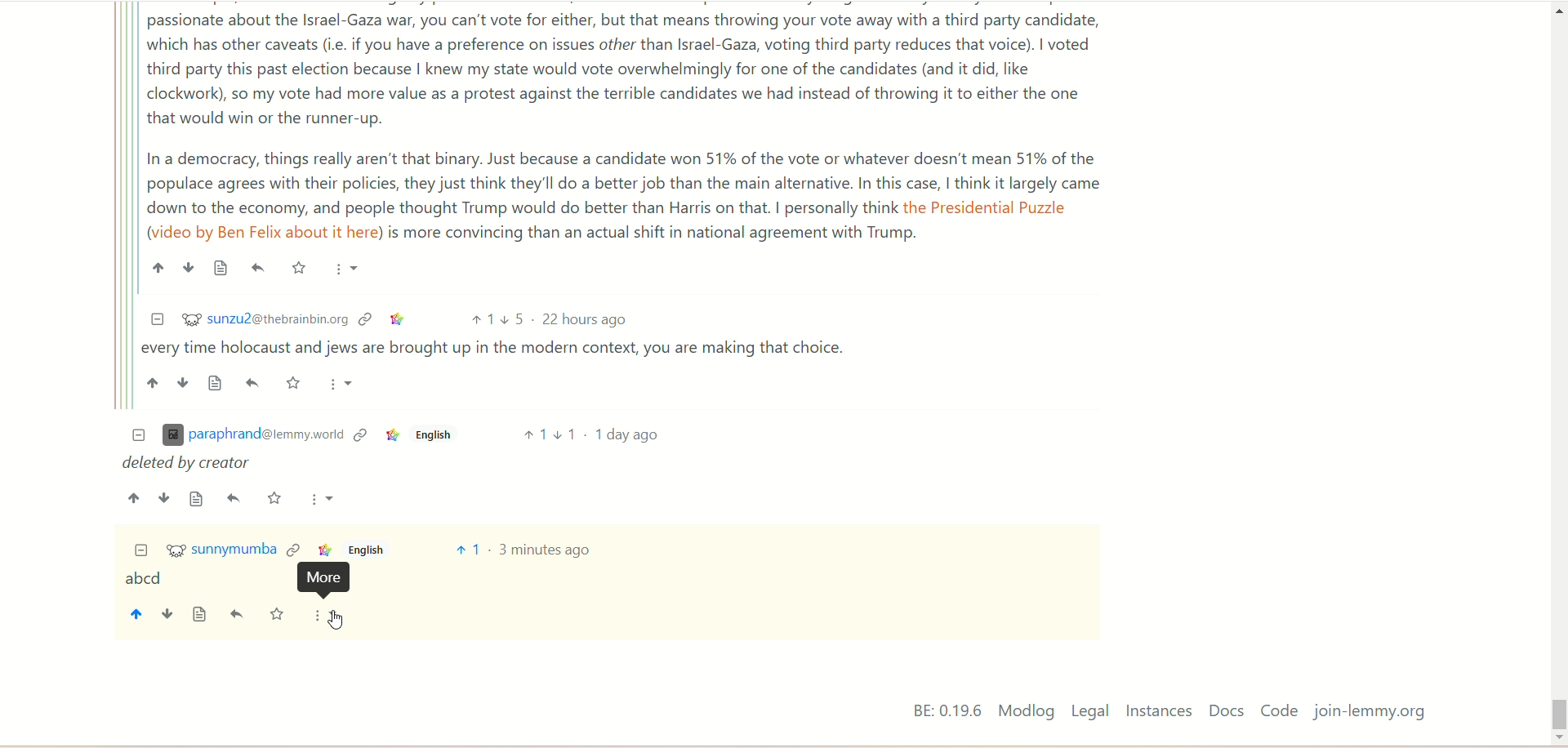 The height and width of the screenshot is (748, 1568). Describe the element at coordinates (157, 319) in the screenshot. I see `Collapse` at that location.